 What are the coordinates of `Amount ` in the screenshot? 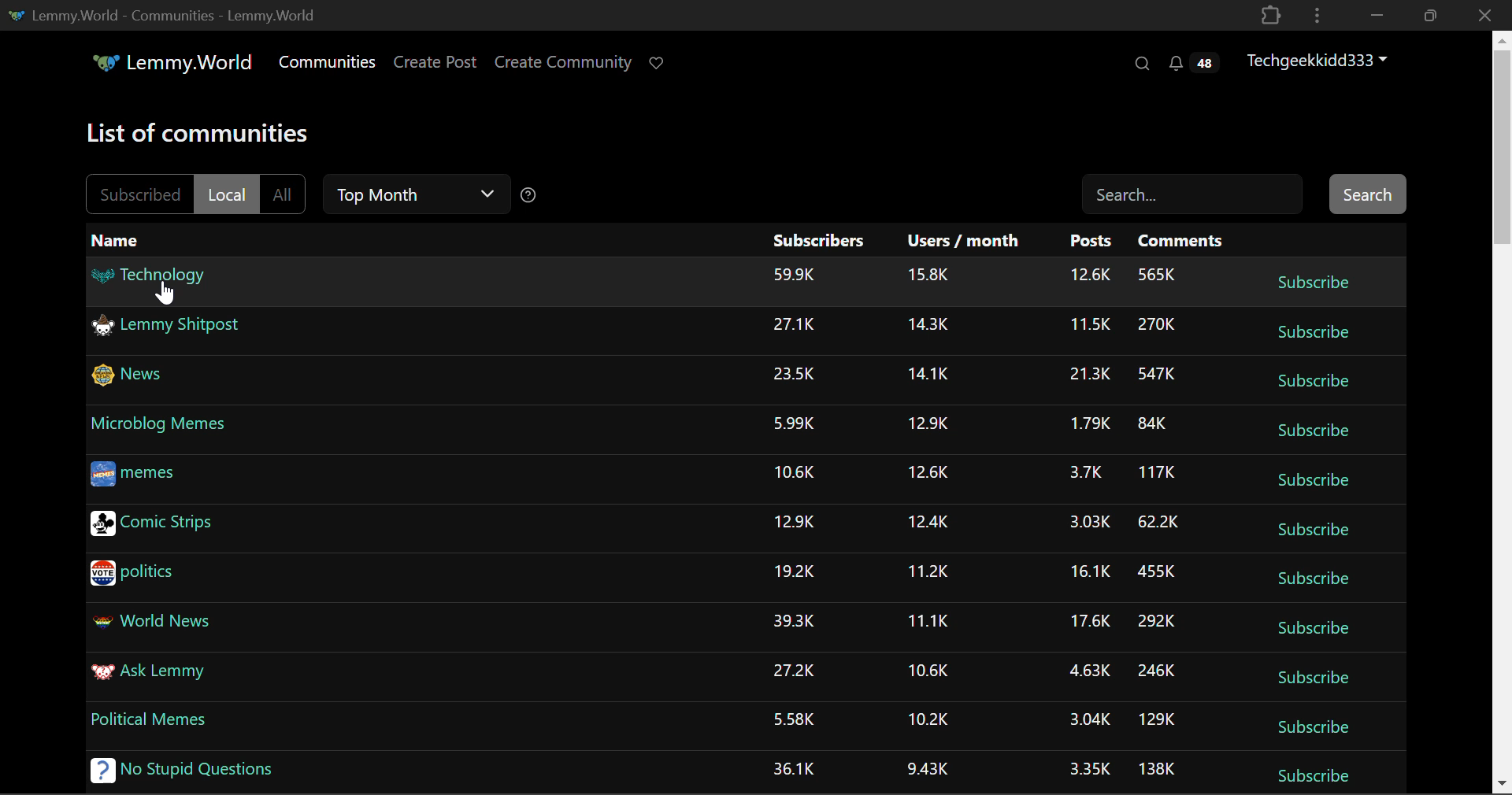 It's located at (1158, 669).